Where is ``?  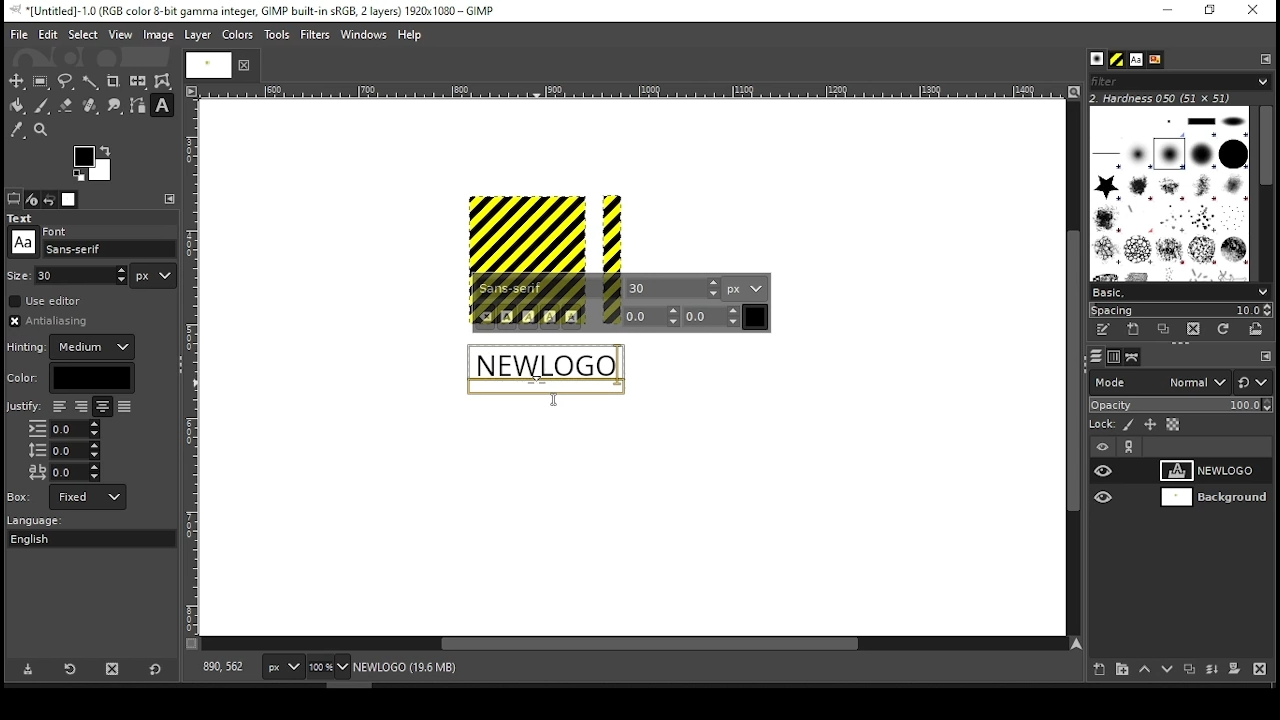
 is located at coordinates (57, 229).